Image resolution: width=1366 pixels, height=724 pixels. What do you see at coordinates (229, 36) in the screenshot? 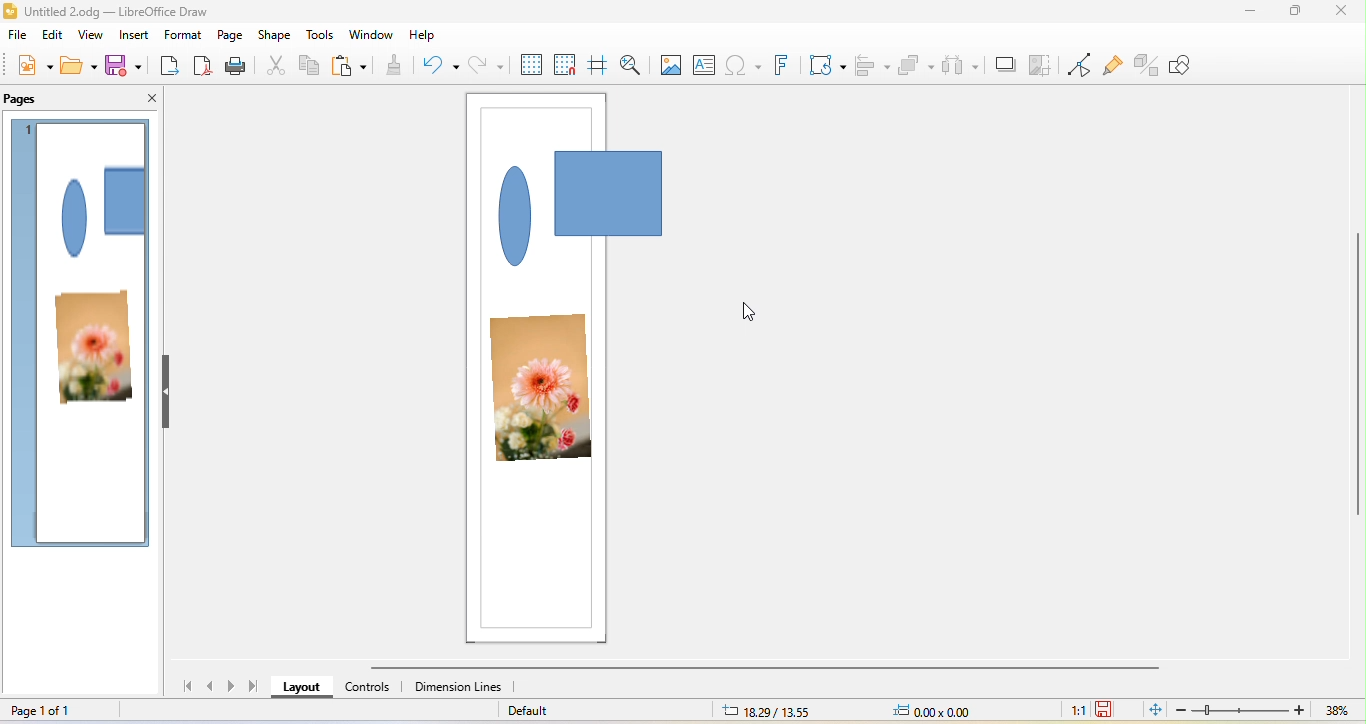
I see `page` at bounding box center [229, 36].